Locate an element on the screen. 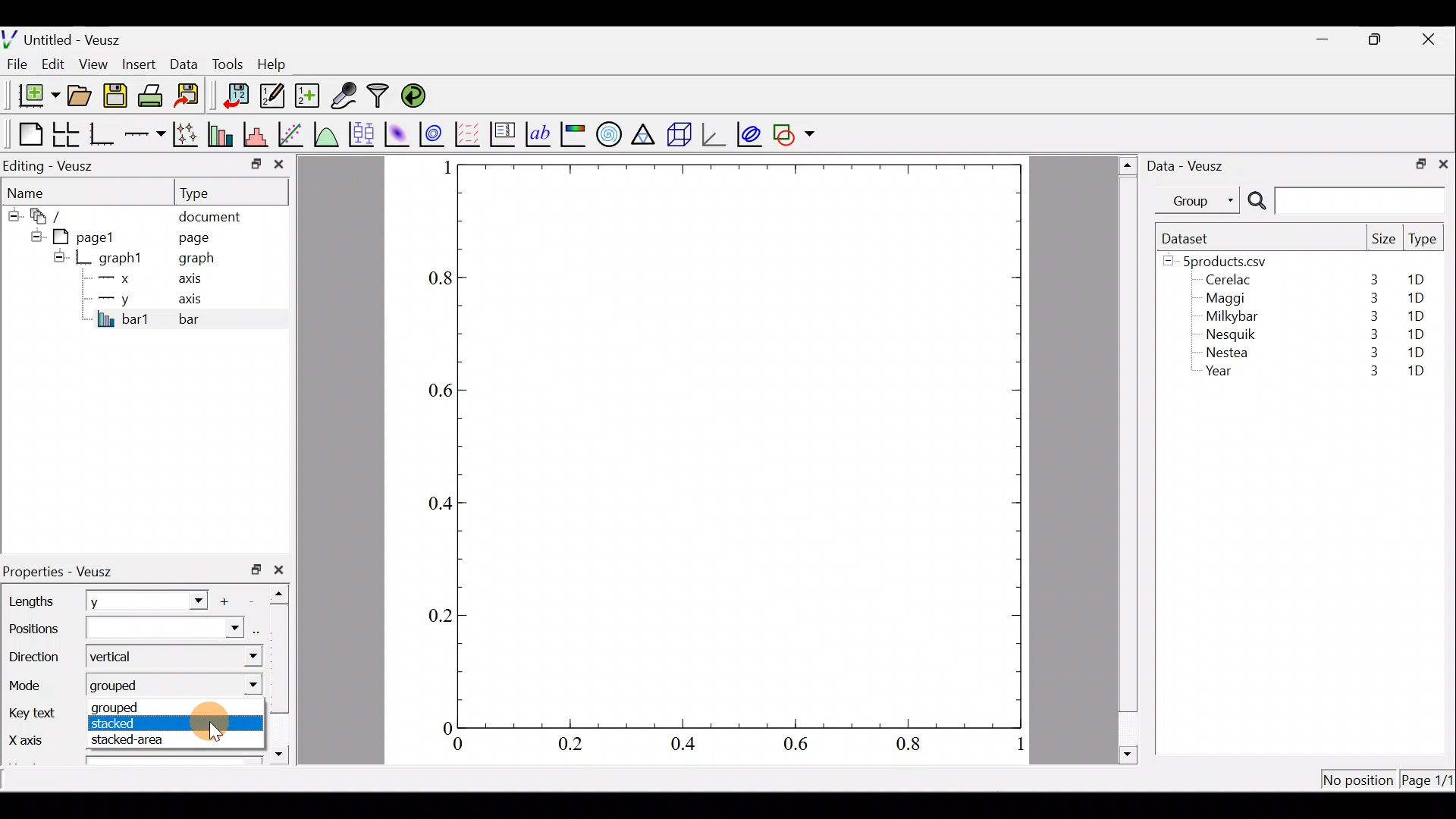 The width and height of the screenshot is (1456, 819). 0.2 is located at coordinates (570, 743).